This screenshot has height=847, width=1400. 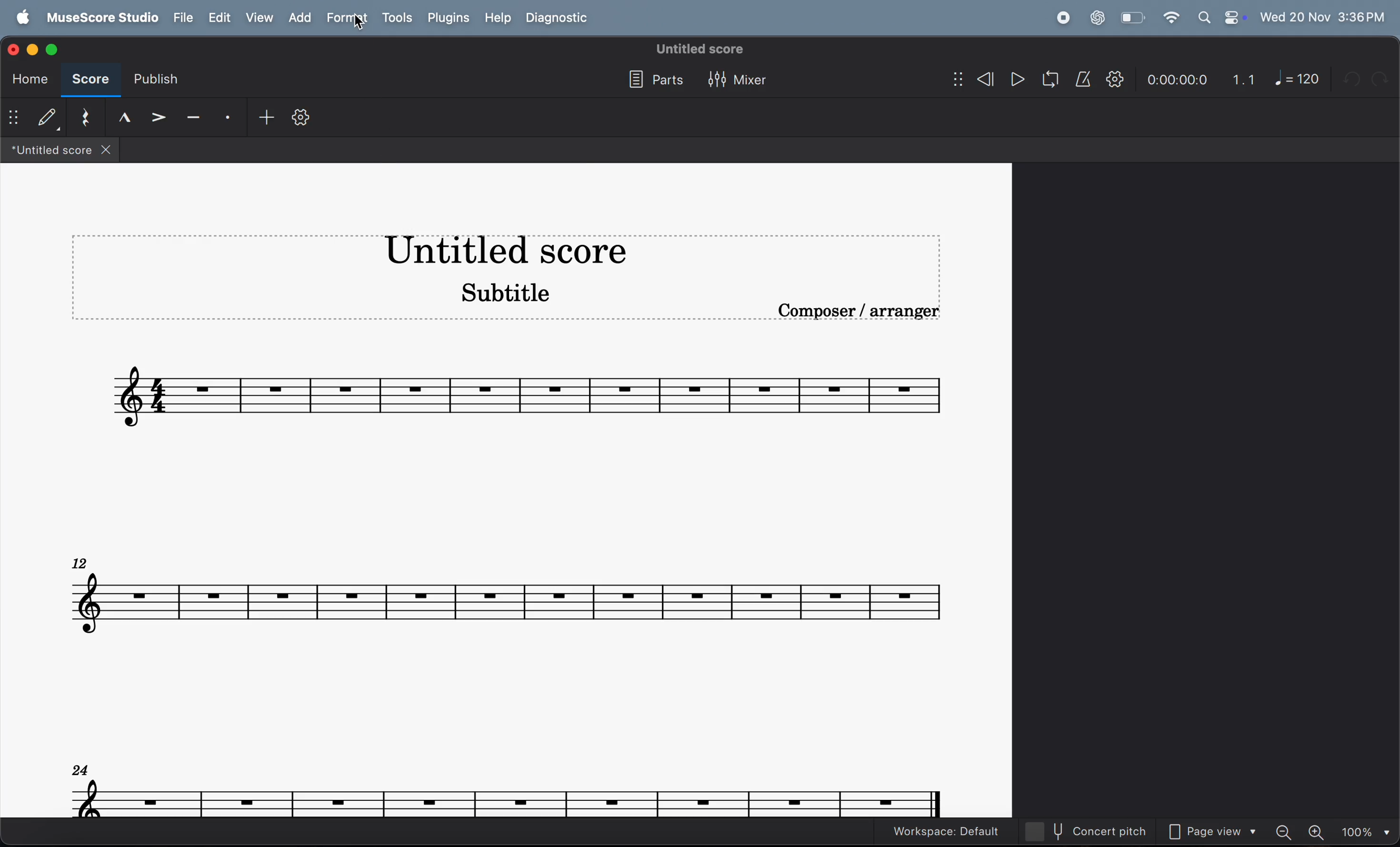 What do you see at coordinates (507, 595) in the screenshot?
I see `notes` at bounding box center [507, 595].